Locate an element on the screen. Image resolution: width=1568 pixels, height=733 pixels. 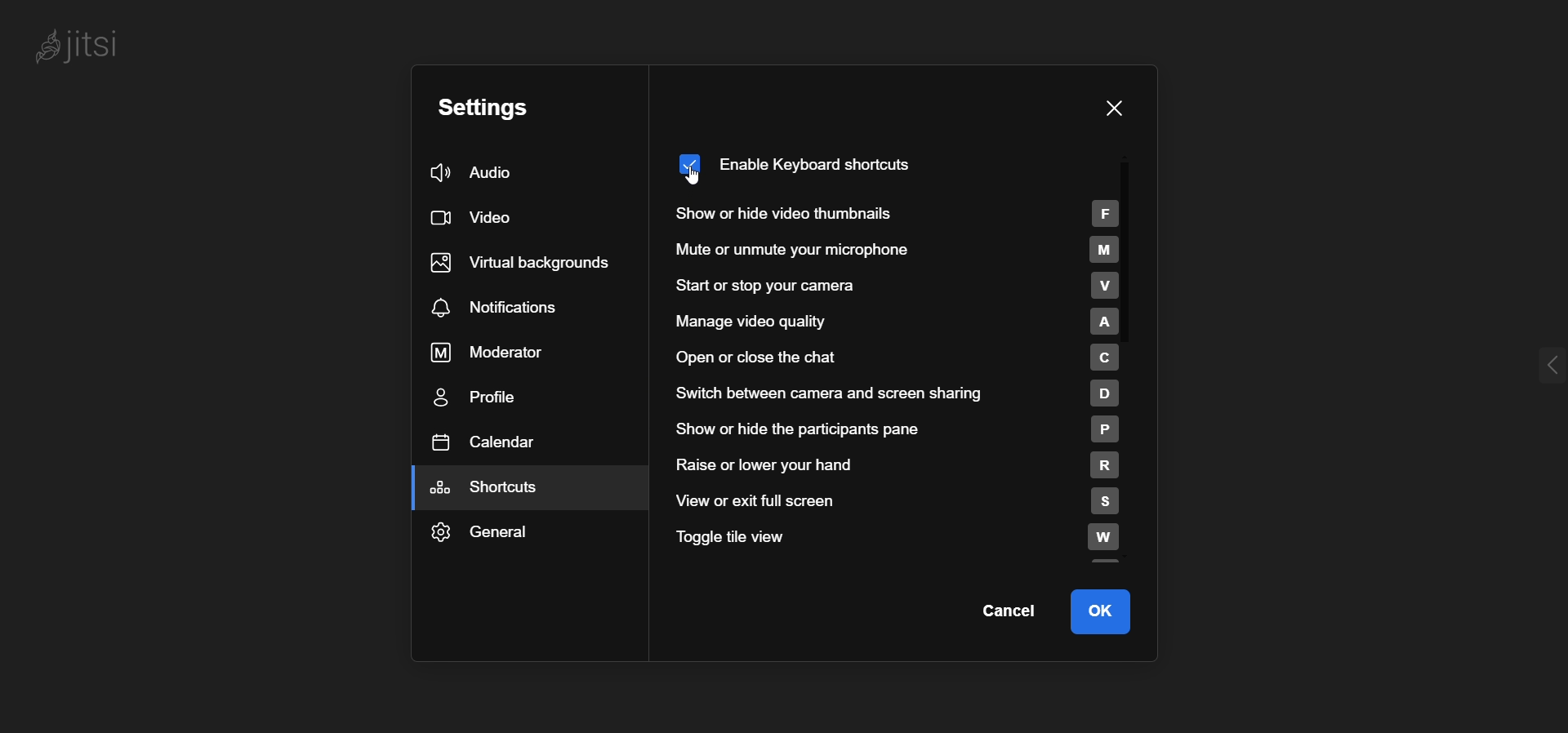
profile is located at coordinates (487, 395).